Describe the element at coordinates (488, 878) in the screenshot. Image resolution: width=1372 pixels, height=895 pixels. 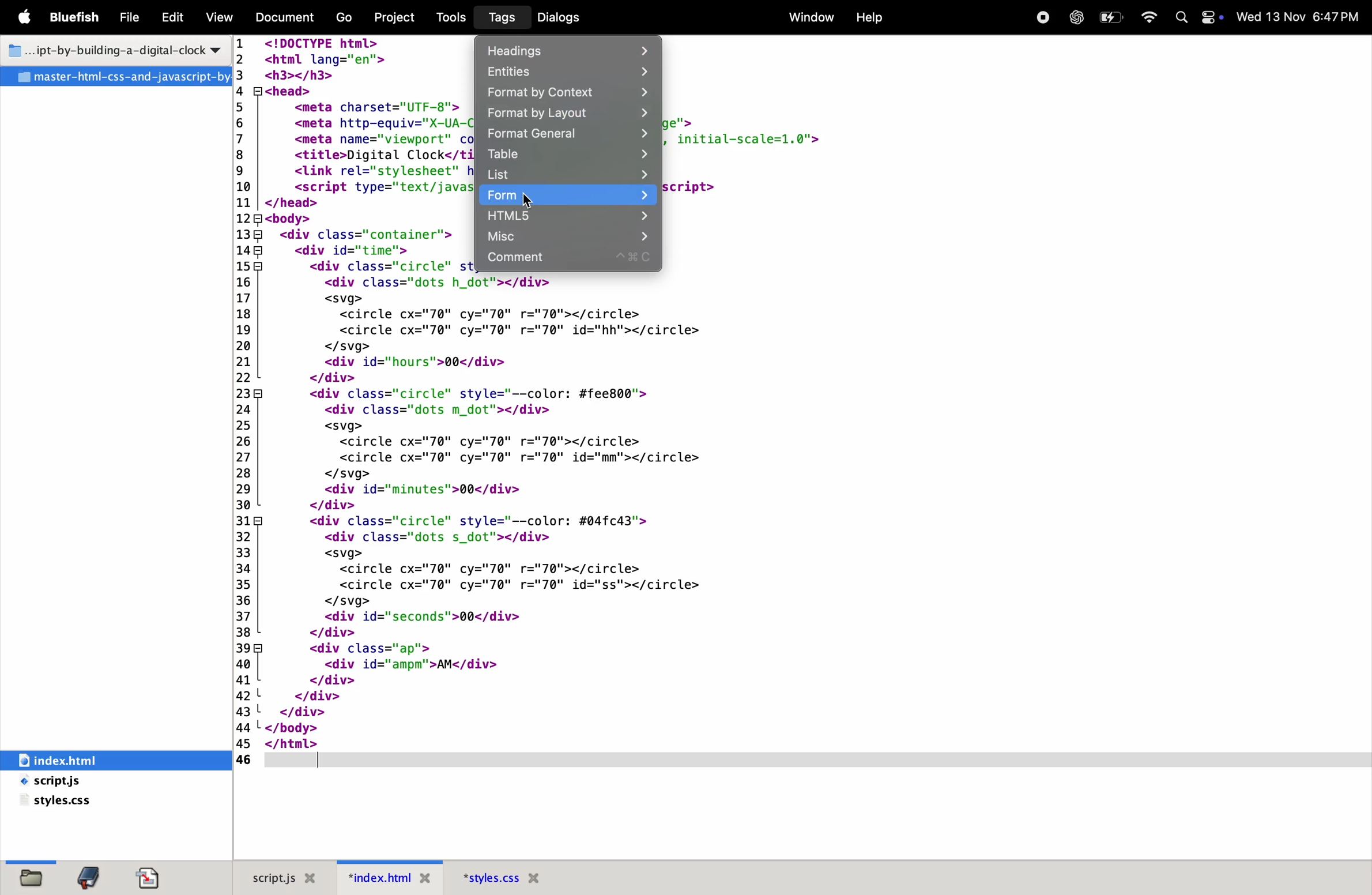
I see `Style.css` at that location.